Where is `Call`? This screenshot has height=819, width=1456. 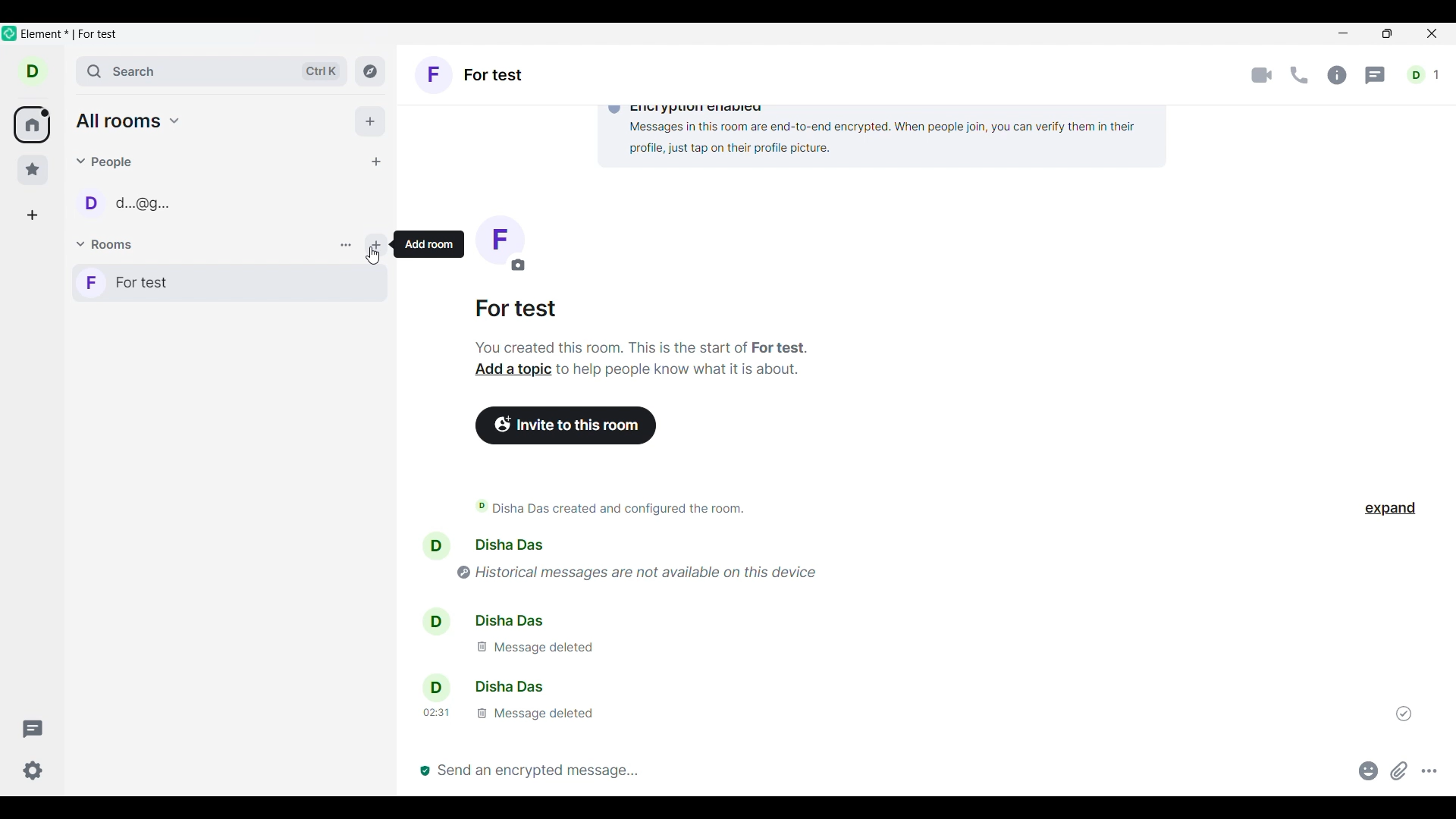 Call is located at coordinates (1300, 75).